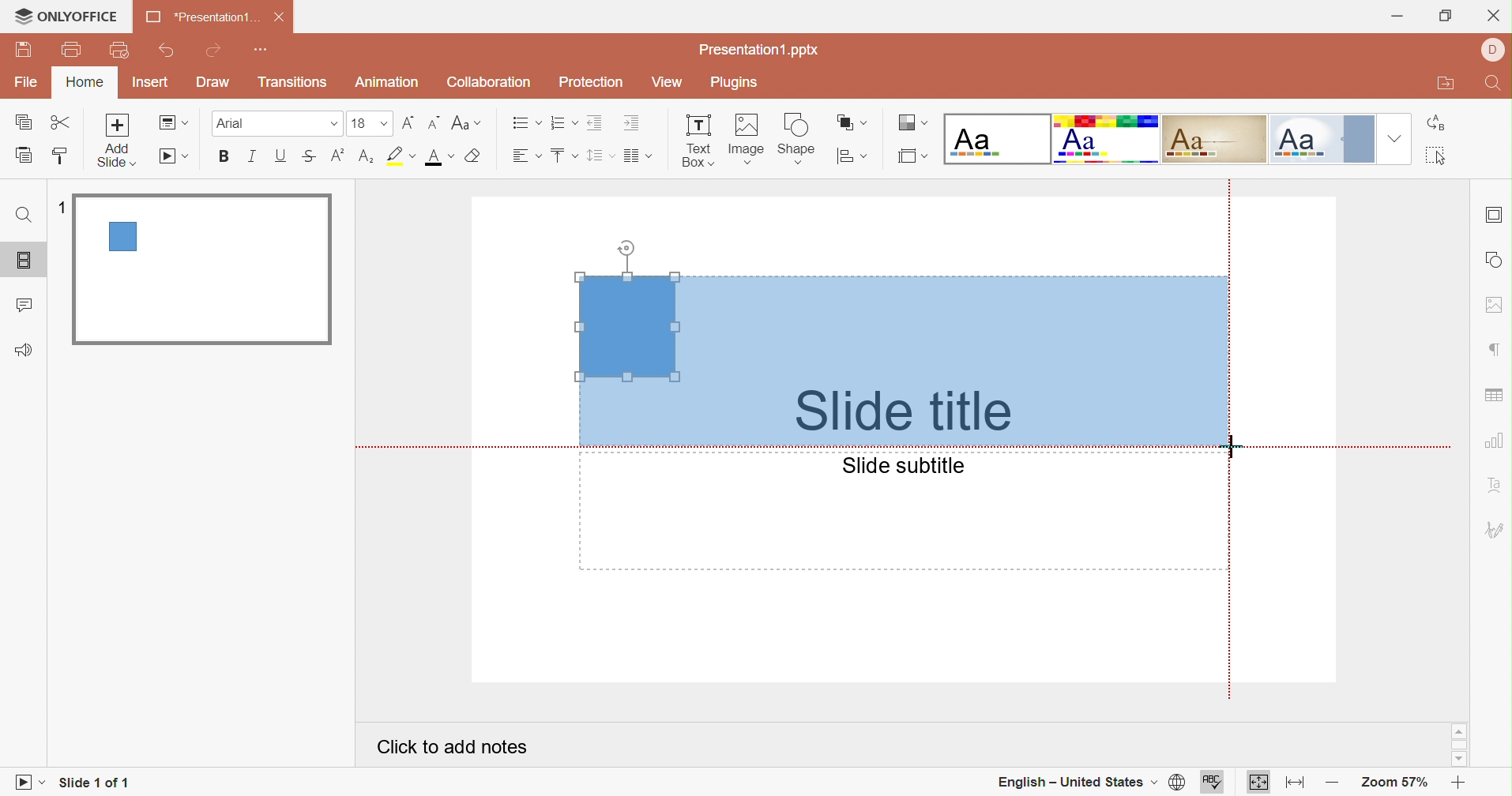  Describe the element at coordinates (1494, 84) in the screenshot. I see `Find` at that location.